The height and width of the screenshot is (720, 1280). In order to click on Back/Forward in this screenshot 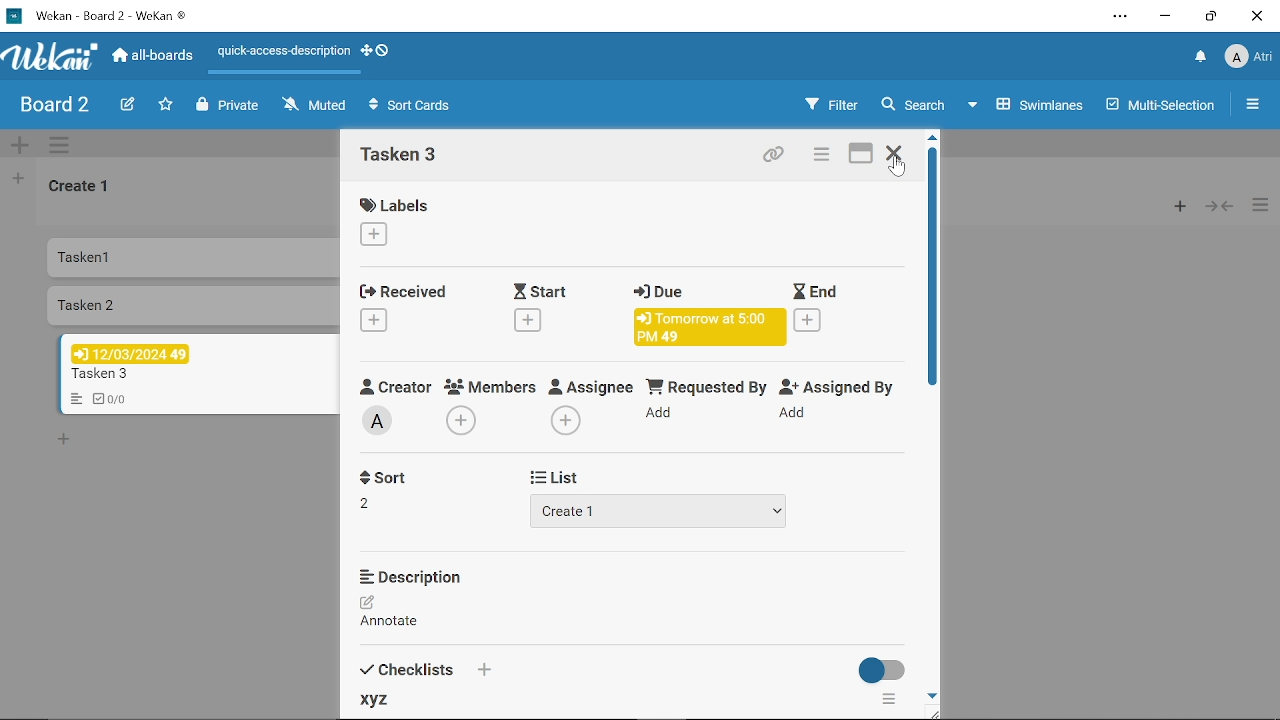, I will do `click(1222, 206)`.